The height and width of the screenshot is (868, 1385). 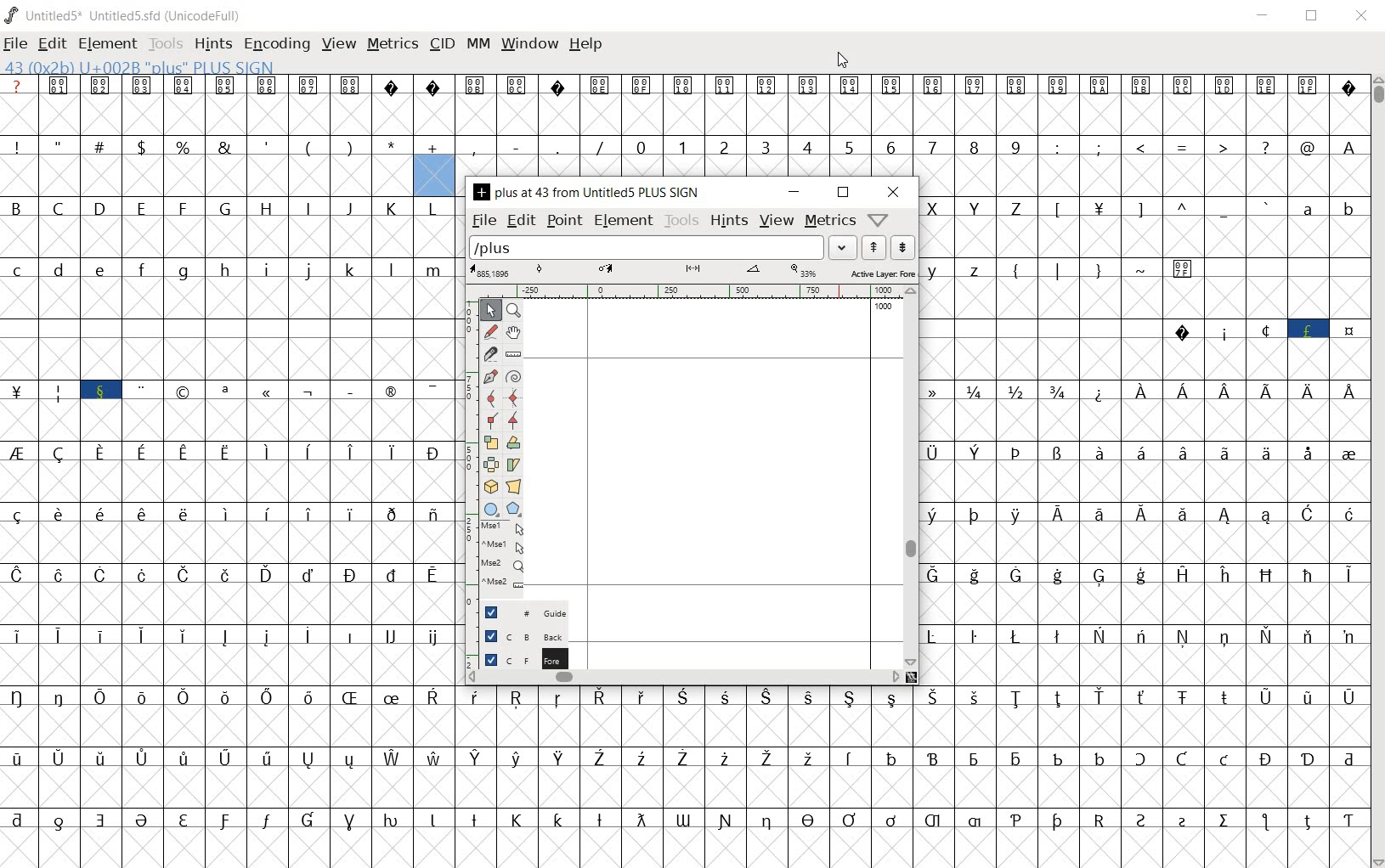 I want to click on Help/Window, so click(x=880, y=220).